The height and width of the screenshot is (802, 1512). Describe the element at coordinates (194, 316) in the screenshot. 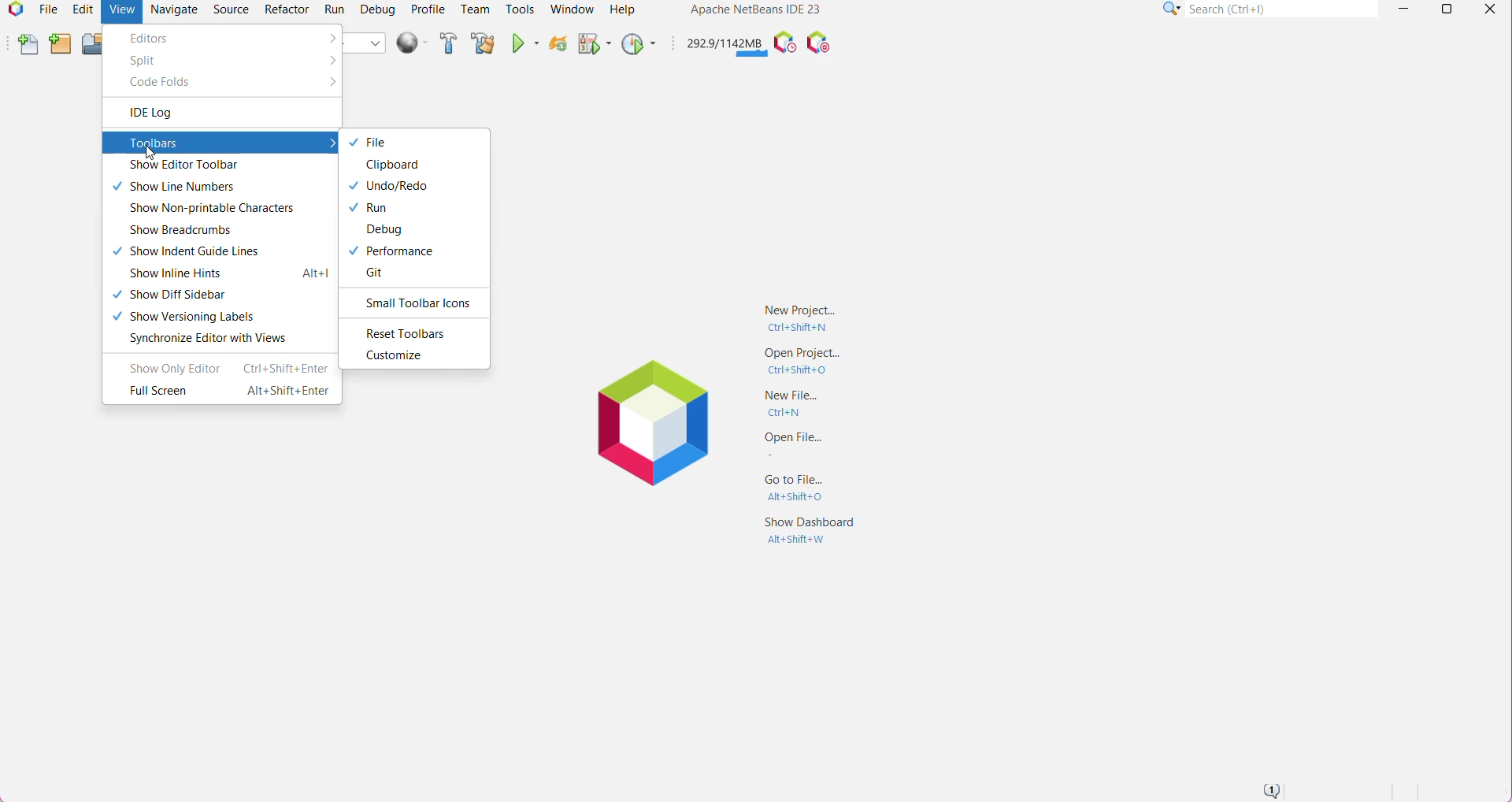

I see `Show Versioning Labels` at that location.